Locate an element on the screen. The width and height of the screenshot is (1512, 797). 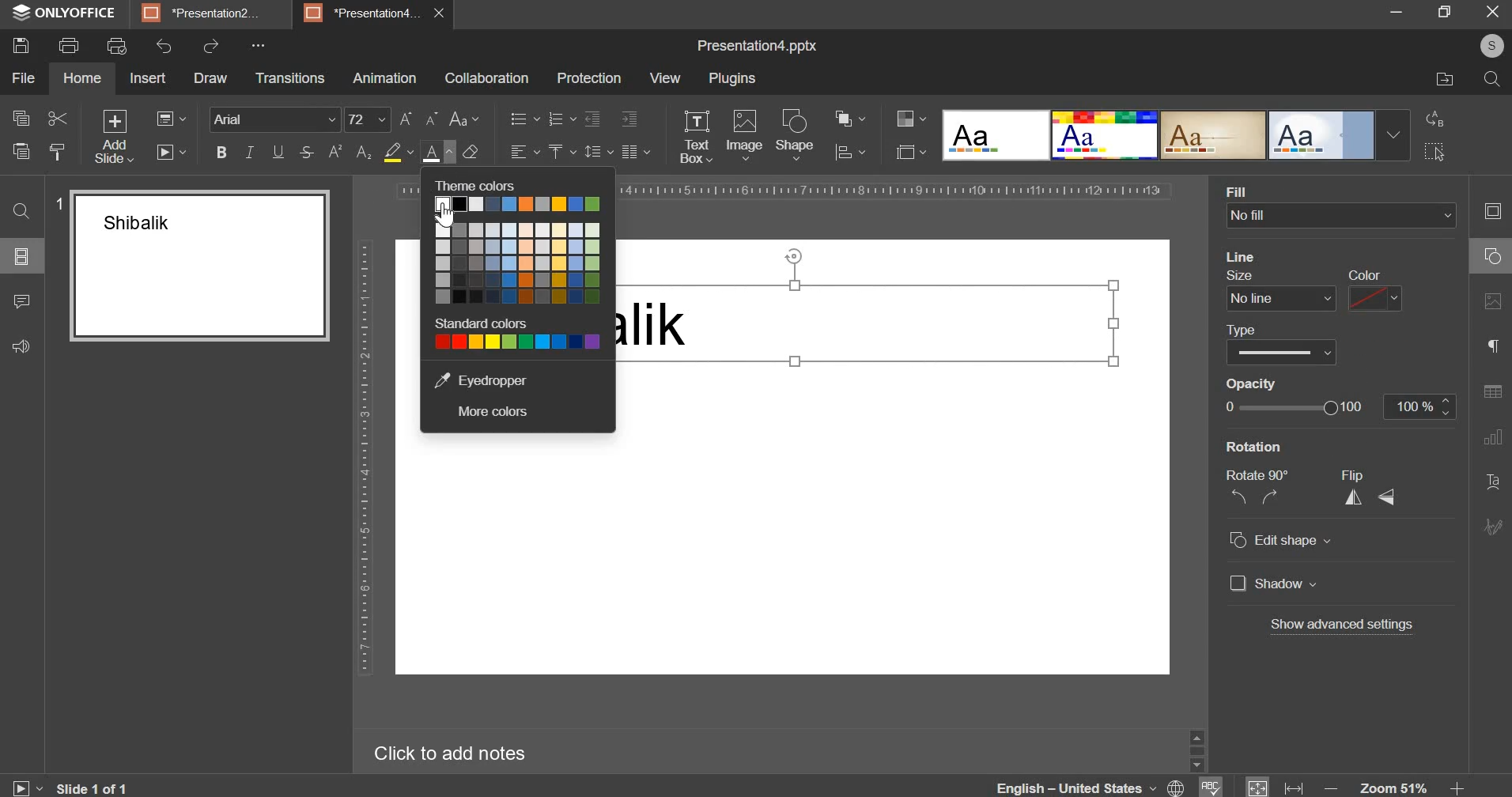
find is located at coordinates (22, 213).